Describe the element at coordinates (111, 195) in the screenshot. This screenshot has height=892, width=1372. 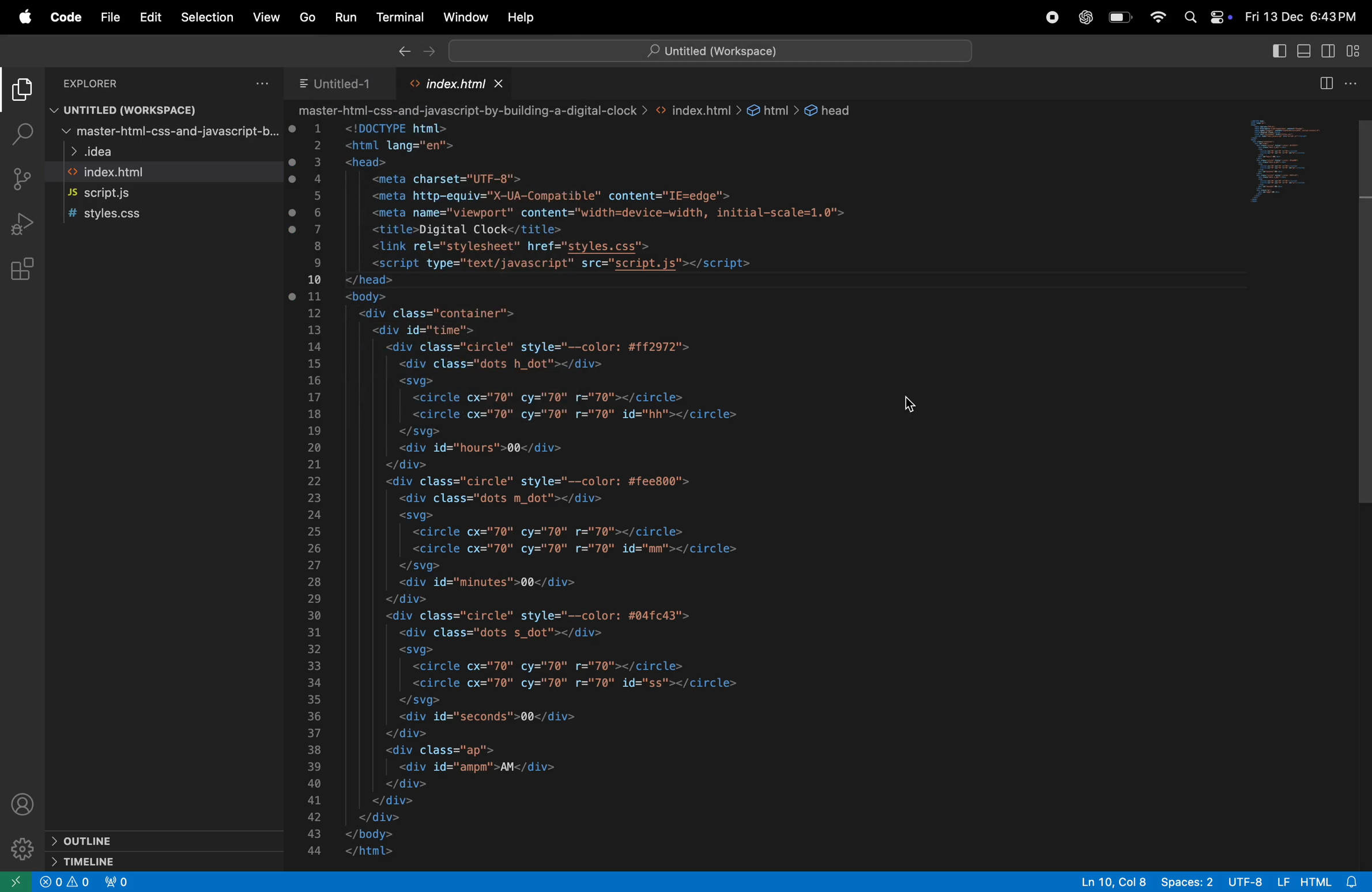
I see `Script.js` at that location.